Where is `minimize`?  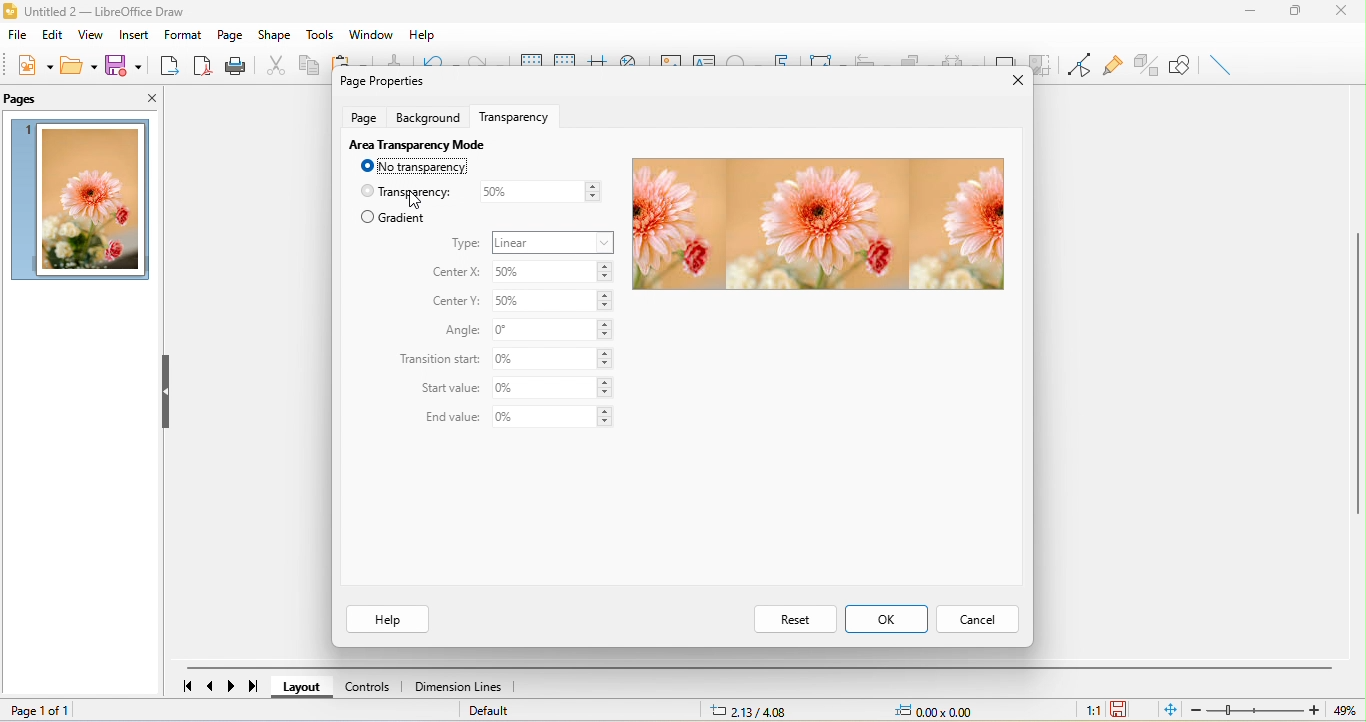
minimize is located at coordinates (1258, 13).